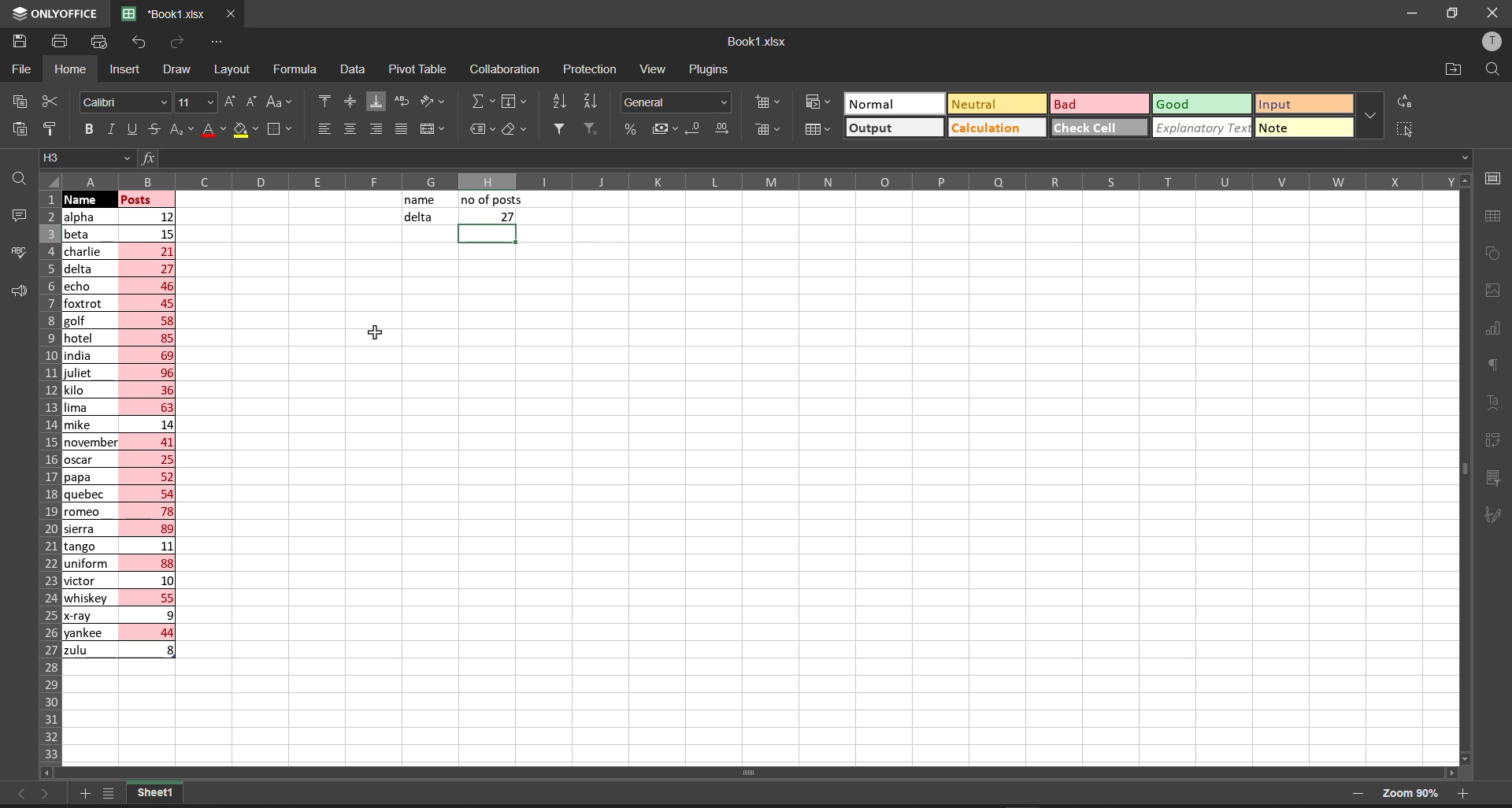 The width and height of the screenshot is (1512, 808). What do you see at coordinates (1468, 758) in the screenshot?
I see `scroll down` at bounding box center [1468, 758].